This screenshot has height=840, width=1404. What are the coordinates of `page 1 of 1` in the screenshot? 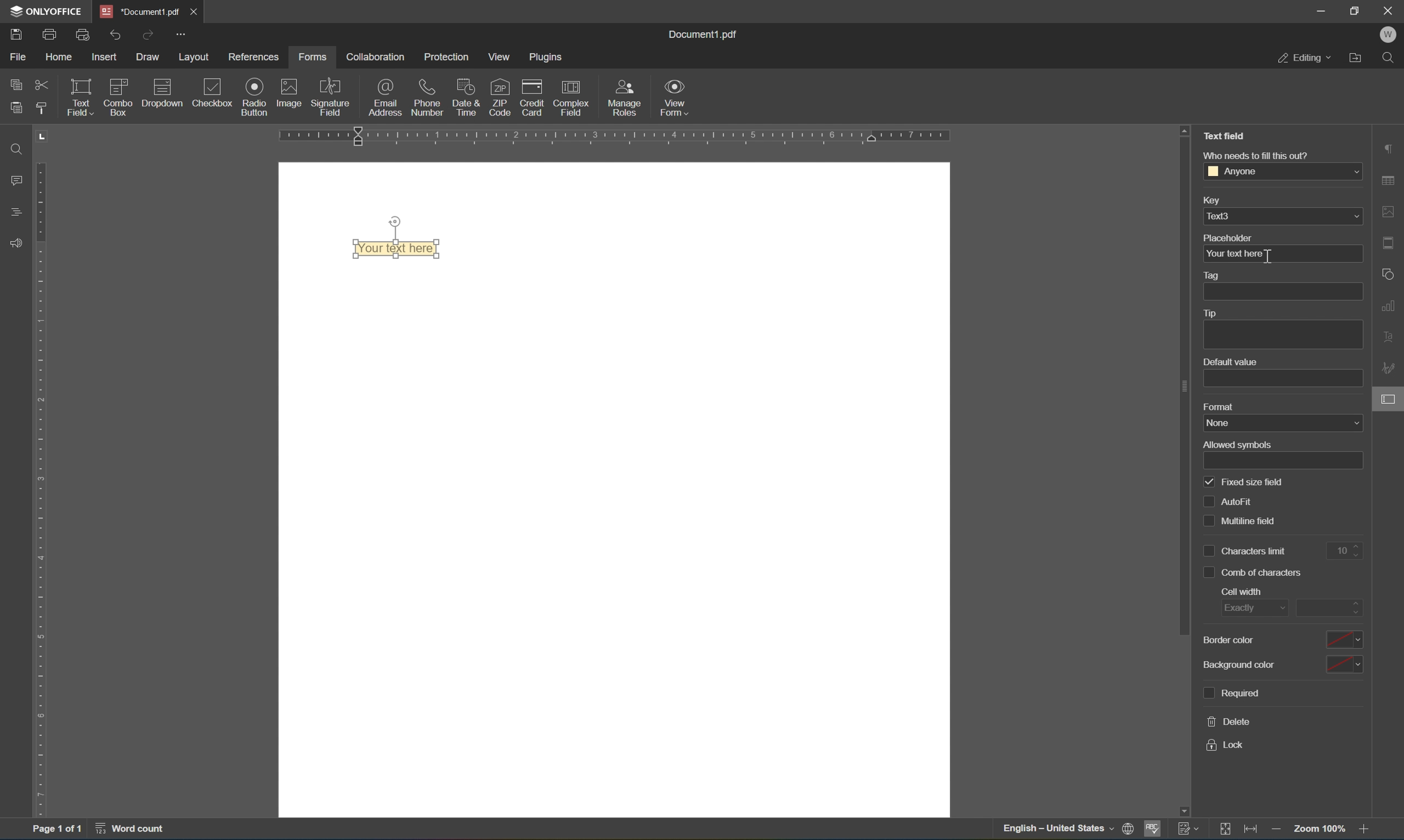 It's located at (53, 829).